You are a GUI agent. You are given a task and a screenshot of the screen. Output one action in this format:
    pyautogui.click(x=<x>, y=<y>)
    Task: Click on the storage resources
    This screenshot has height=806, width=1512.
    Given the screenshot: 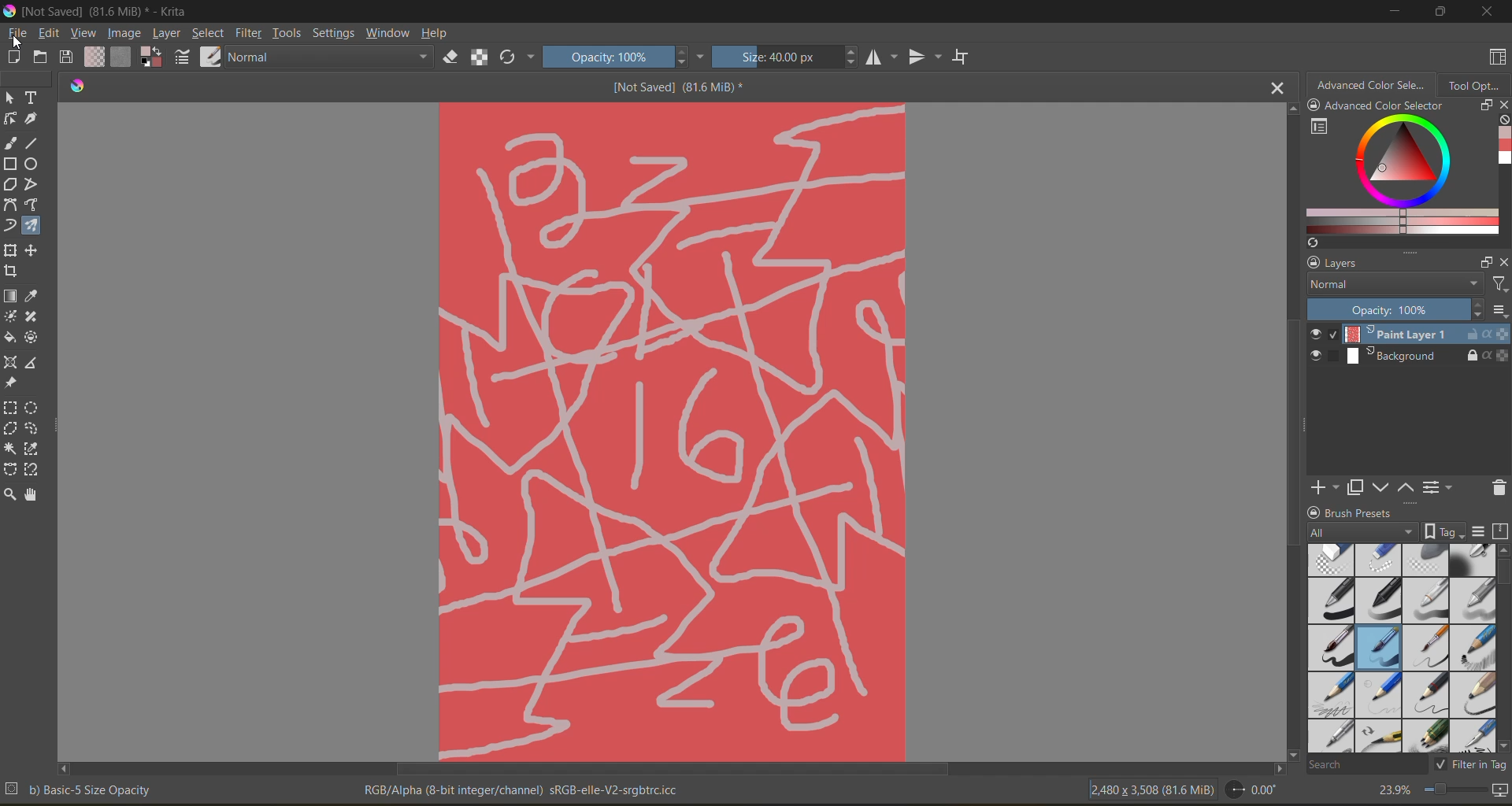 What is the action you would take?
    pyautogui.click(x=1503, y=532)
    